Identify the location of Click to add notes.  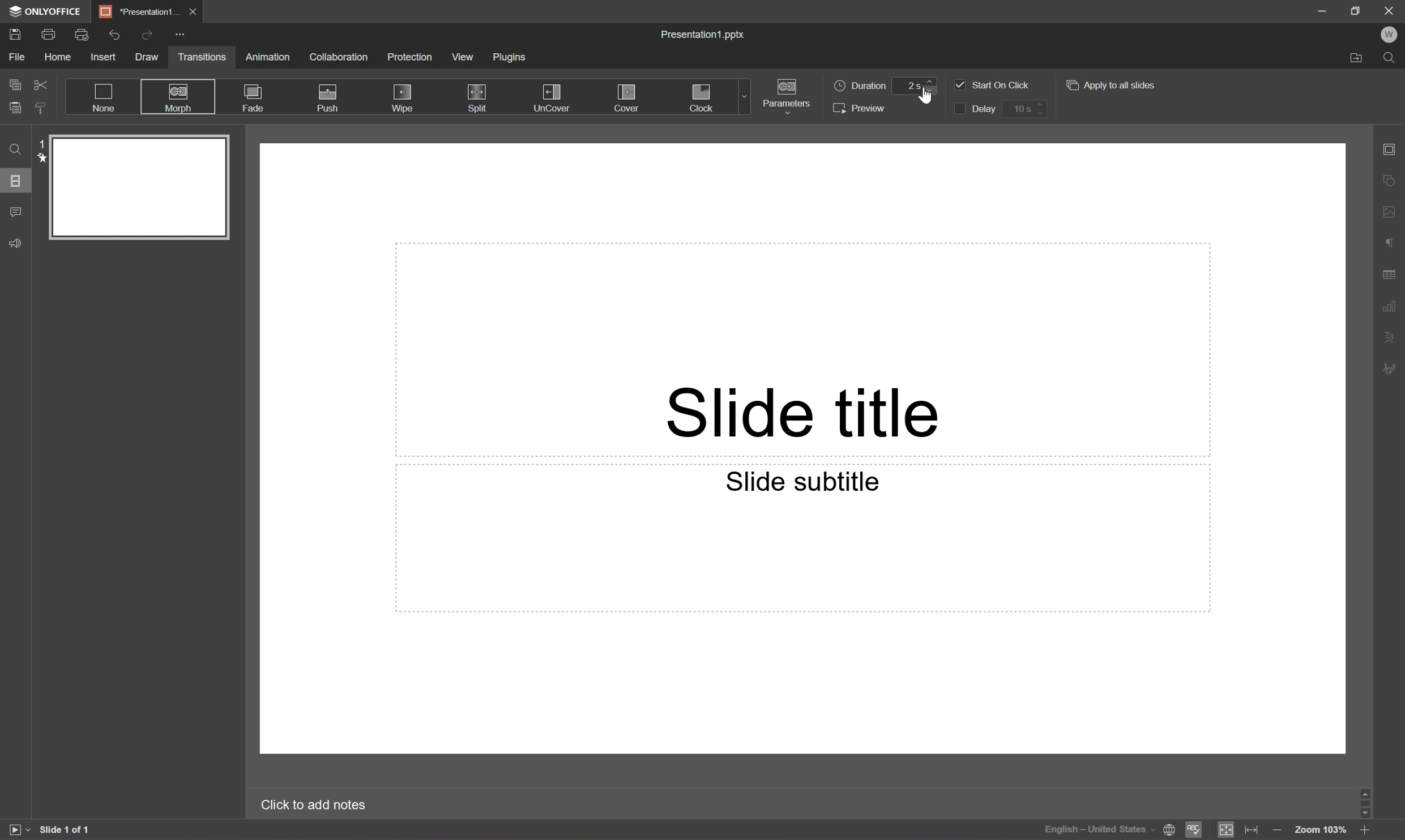
(315, 804).